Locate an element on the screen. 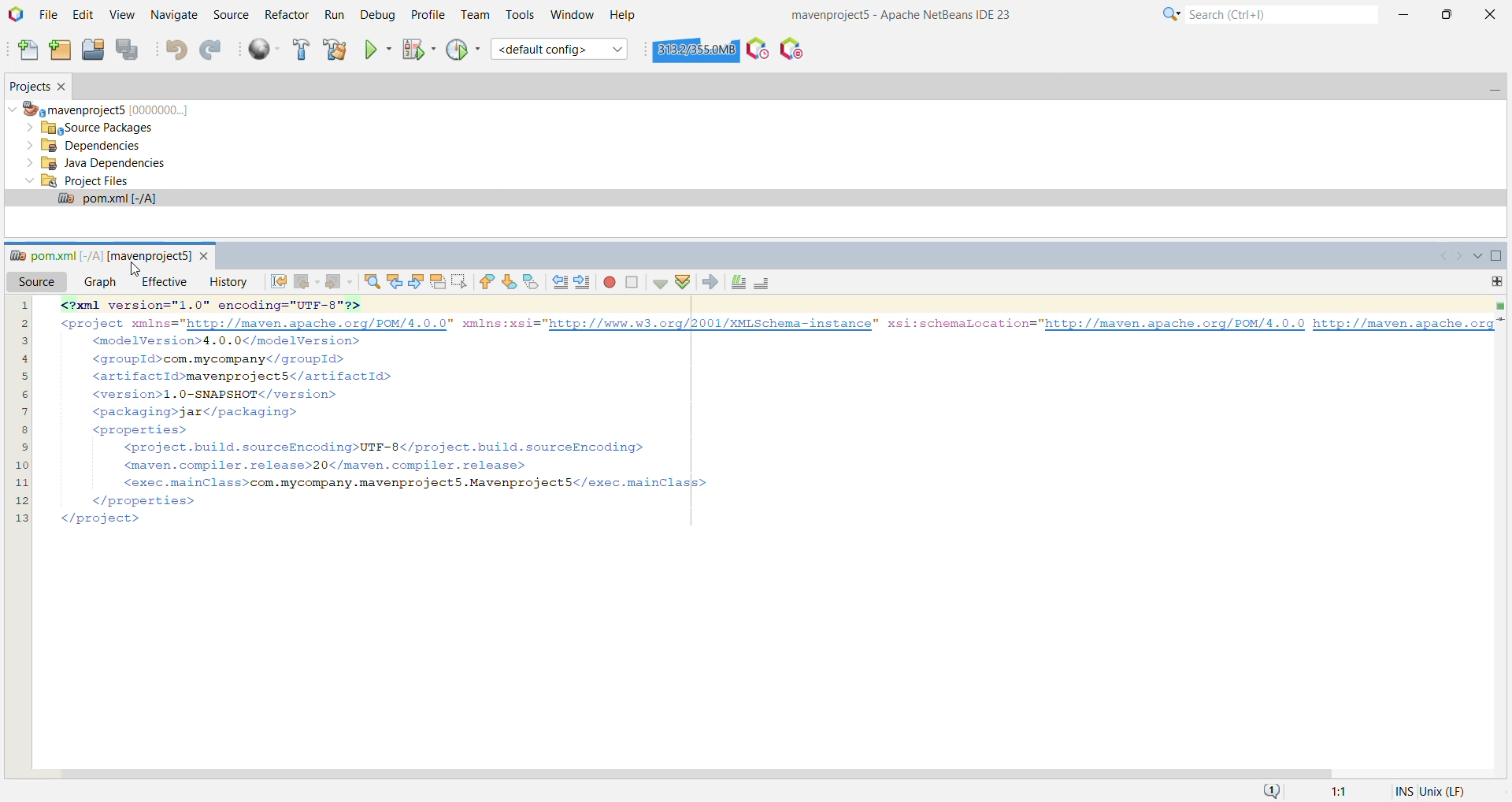  Notifications is located at coordinates (1273, 790).